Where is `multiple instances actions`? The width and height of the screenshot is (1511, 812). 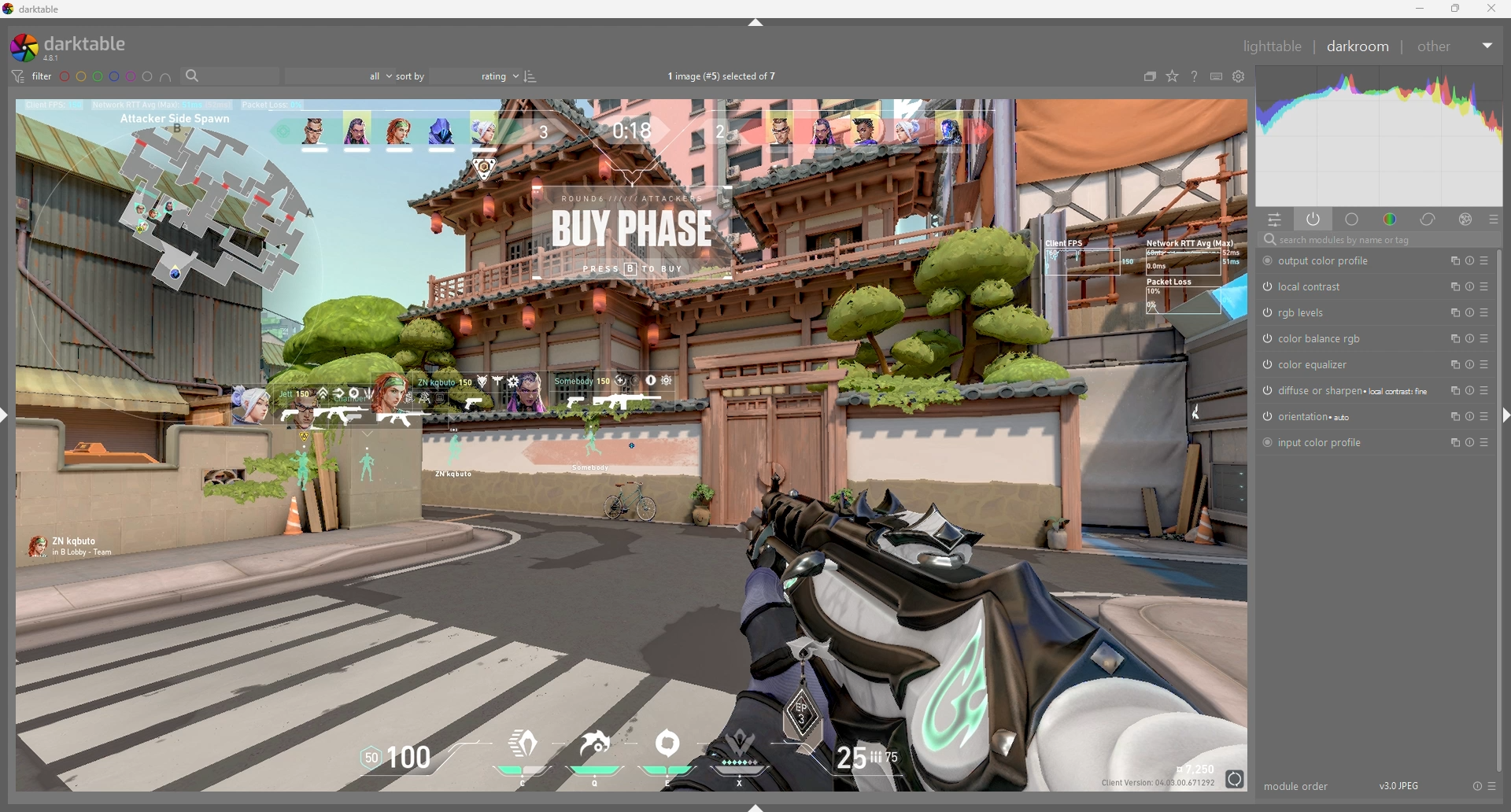 multiple instances actions is located at coordinates (1451, 339).